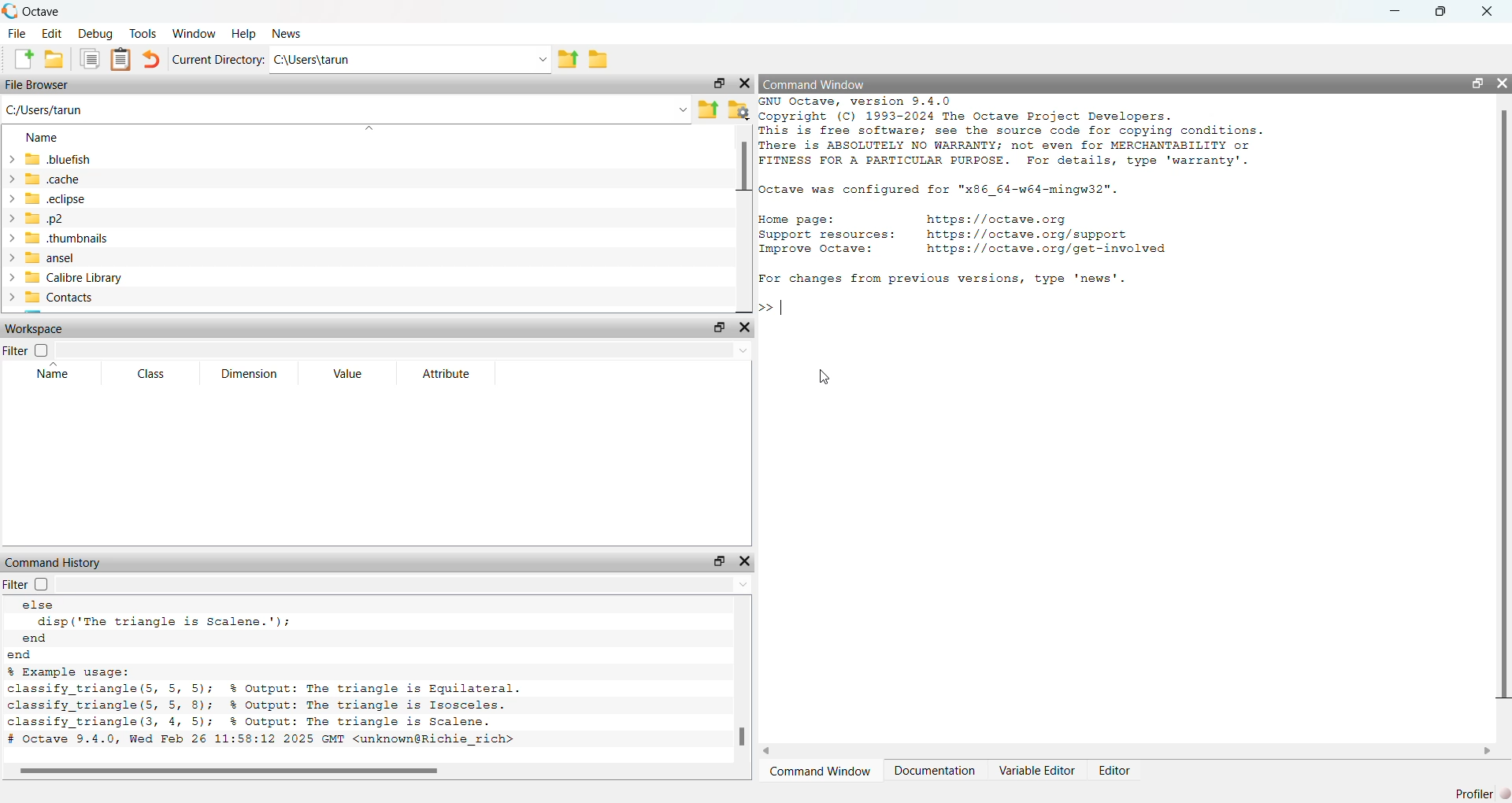 This screenshot has width=1512, height=803. I want to click on contacts, so click(56, 300).